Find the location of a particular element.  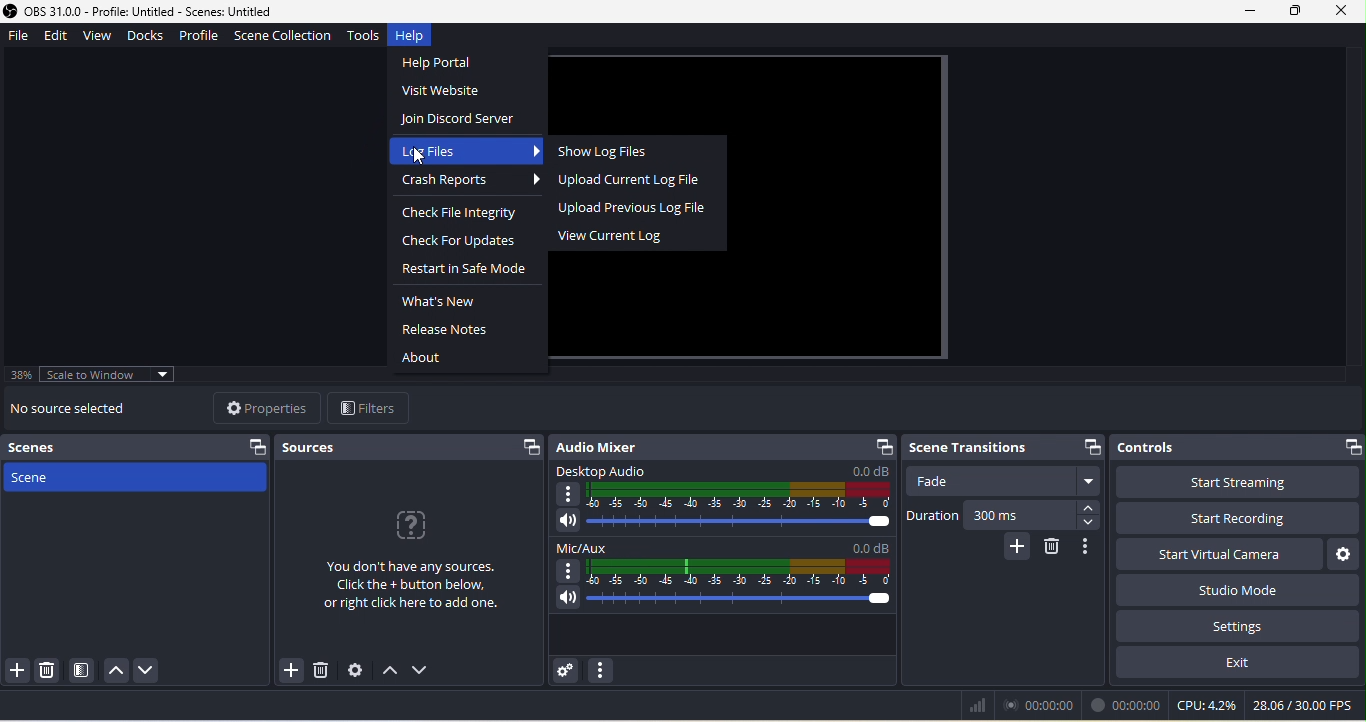

add configurable transition is located at coordinates (1015, 548).